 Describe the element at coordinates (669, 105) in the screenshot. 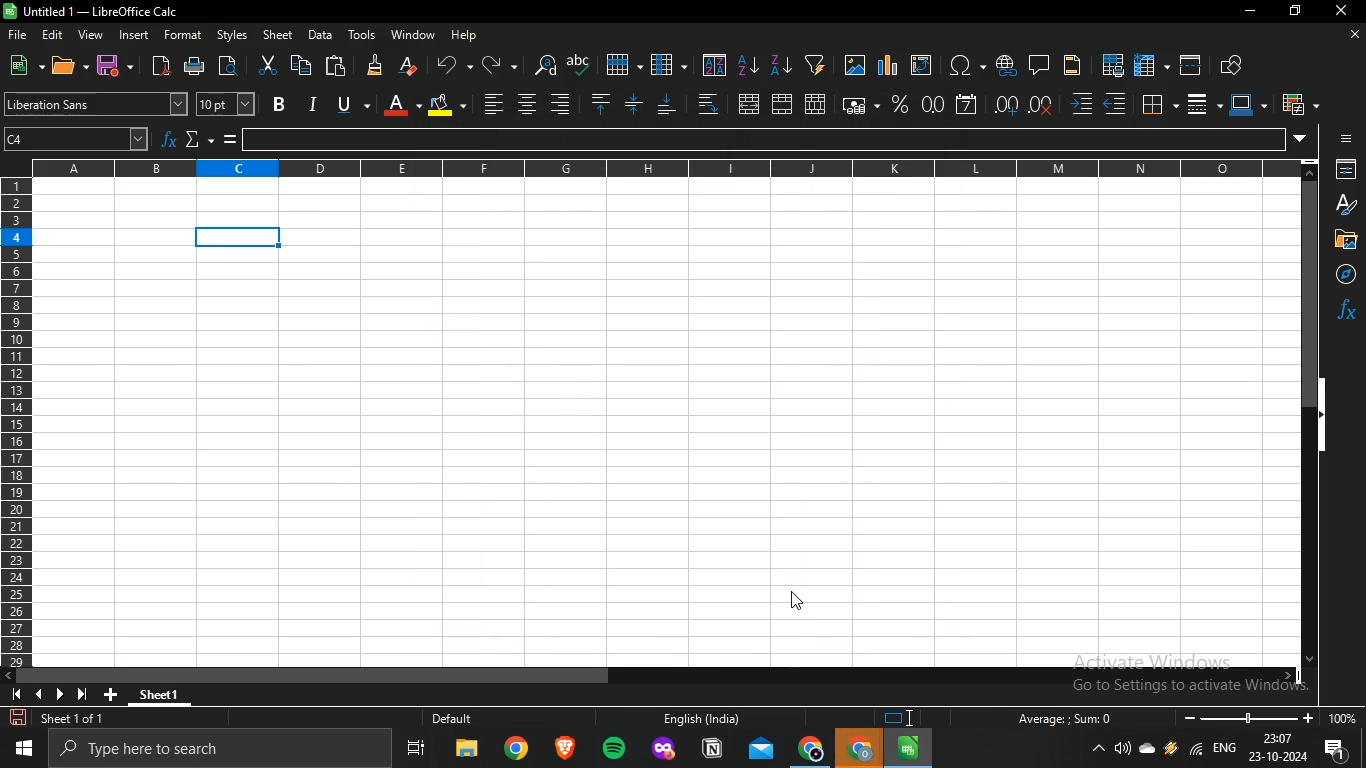

I see `align  bottom` at that location.